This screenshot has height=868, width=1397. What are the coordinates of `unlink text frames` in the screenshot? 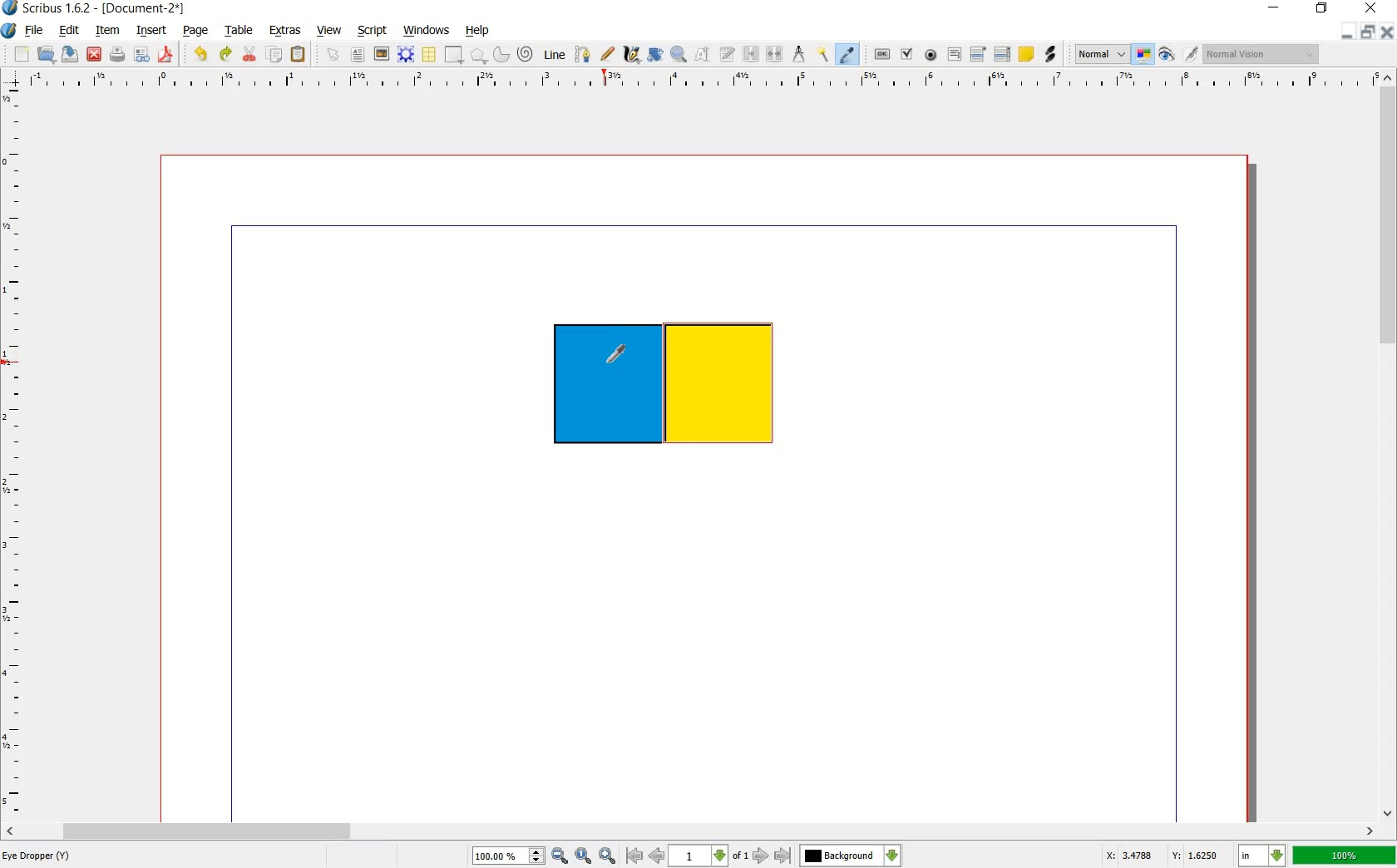 It's located at (776, 52).